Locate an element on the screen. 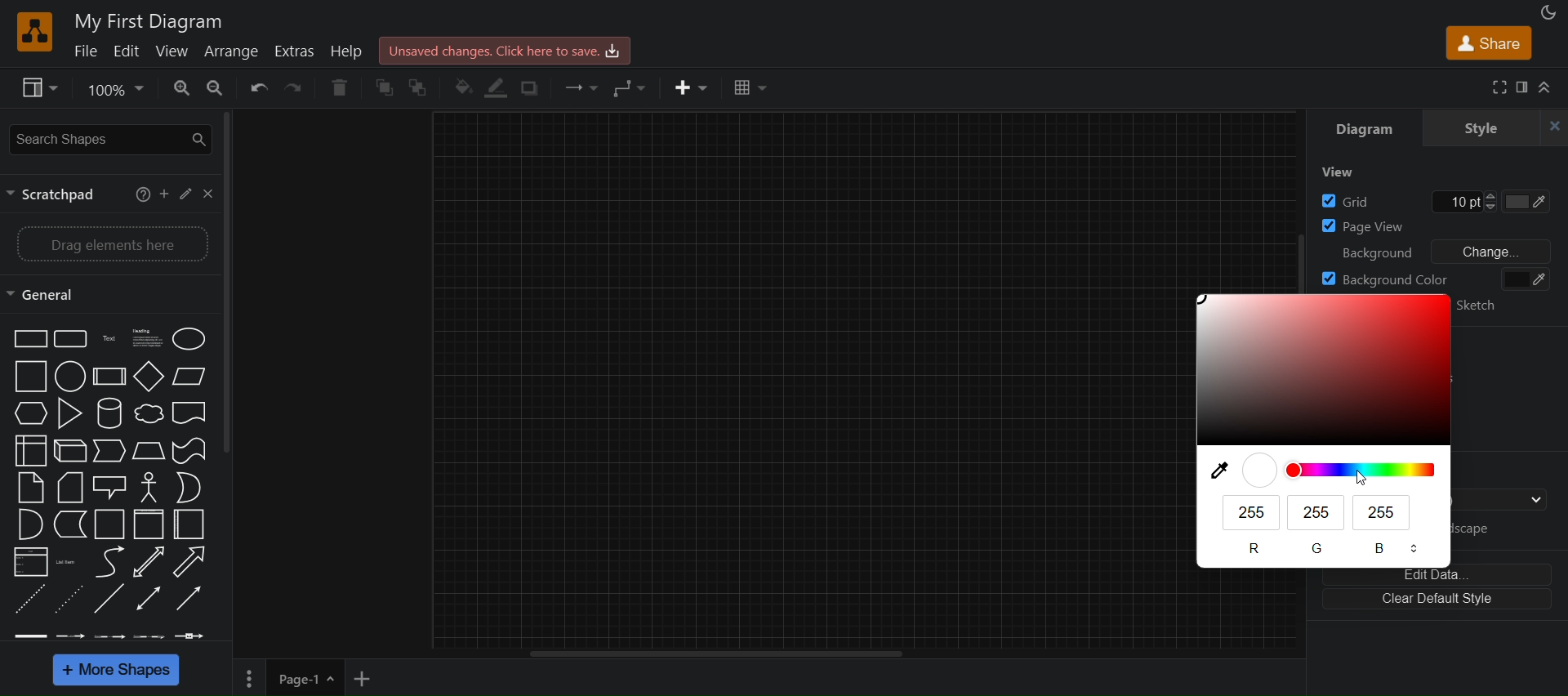 This screenshot has height=696, width=1568. background is located at coordinates (1372, 250).